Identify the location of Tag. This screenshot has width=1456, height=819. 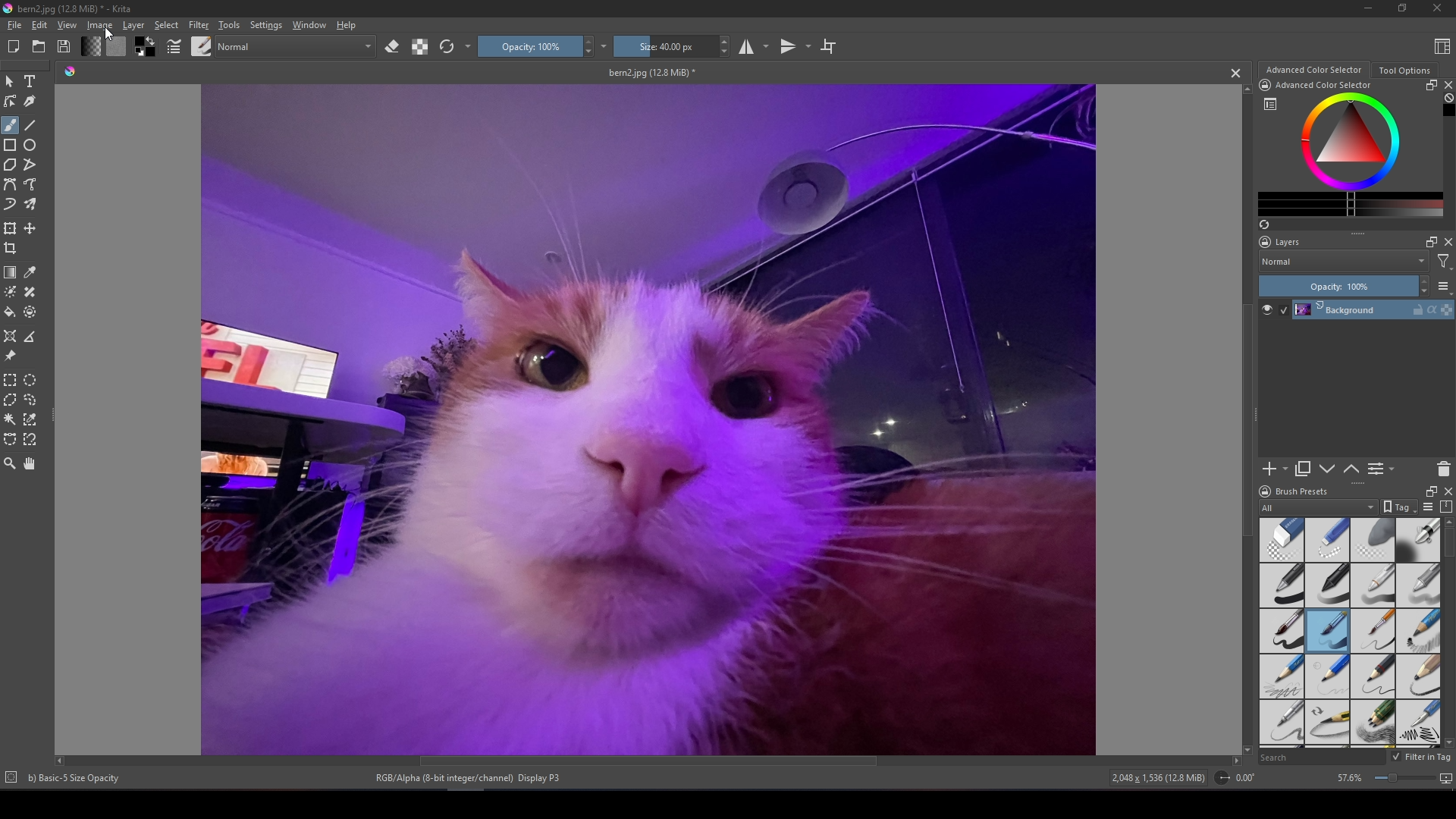
(1401, 508).